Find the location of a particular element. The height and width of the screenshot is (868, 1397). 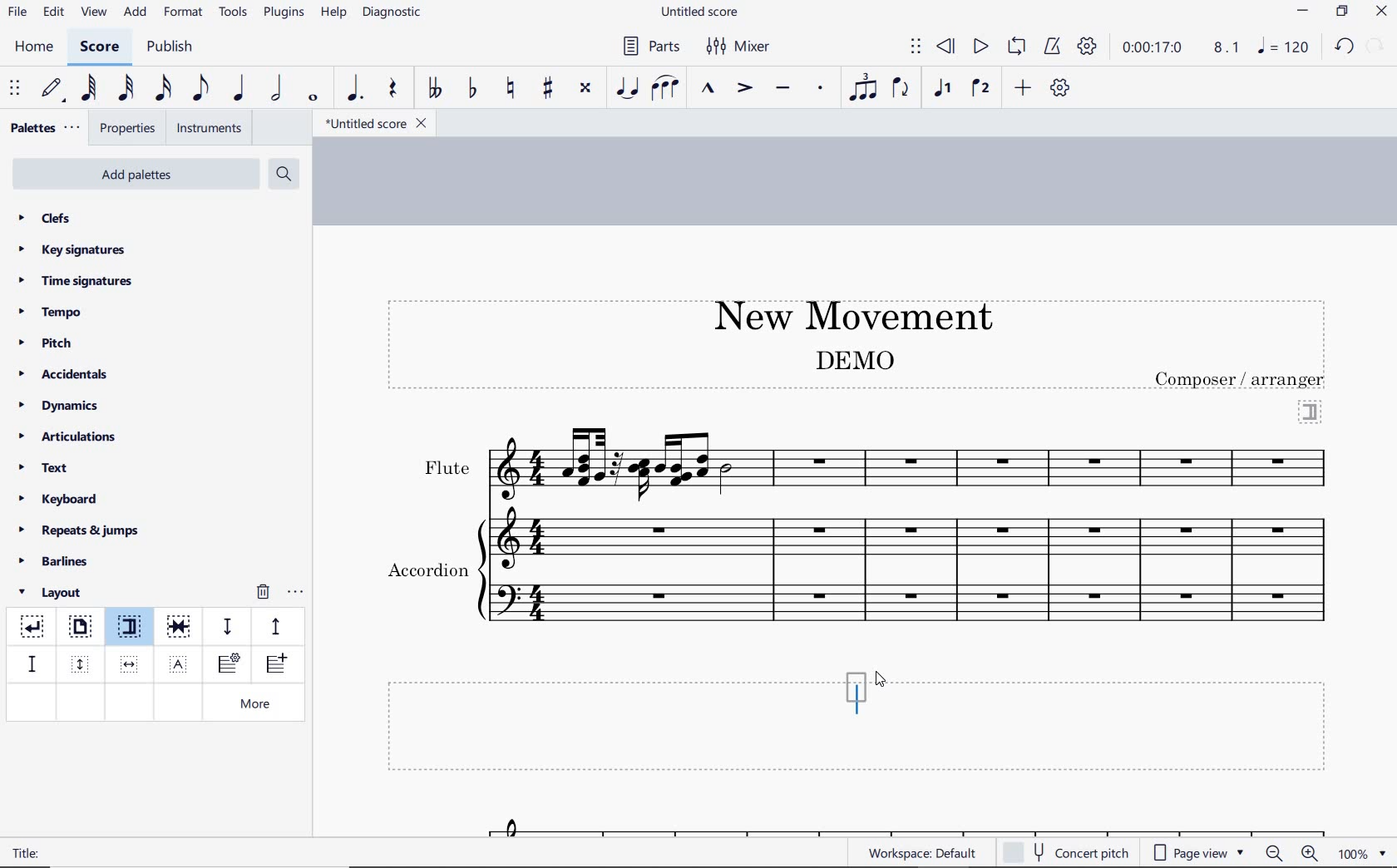

text is located at coordinates (427, 572).